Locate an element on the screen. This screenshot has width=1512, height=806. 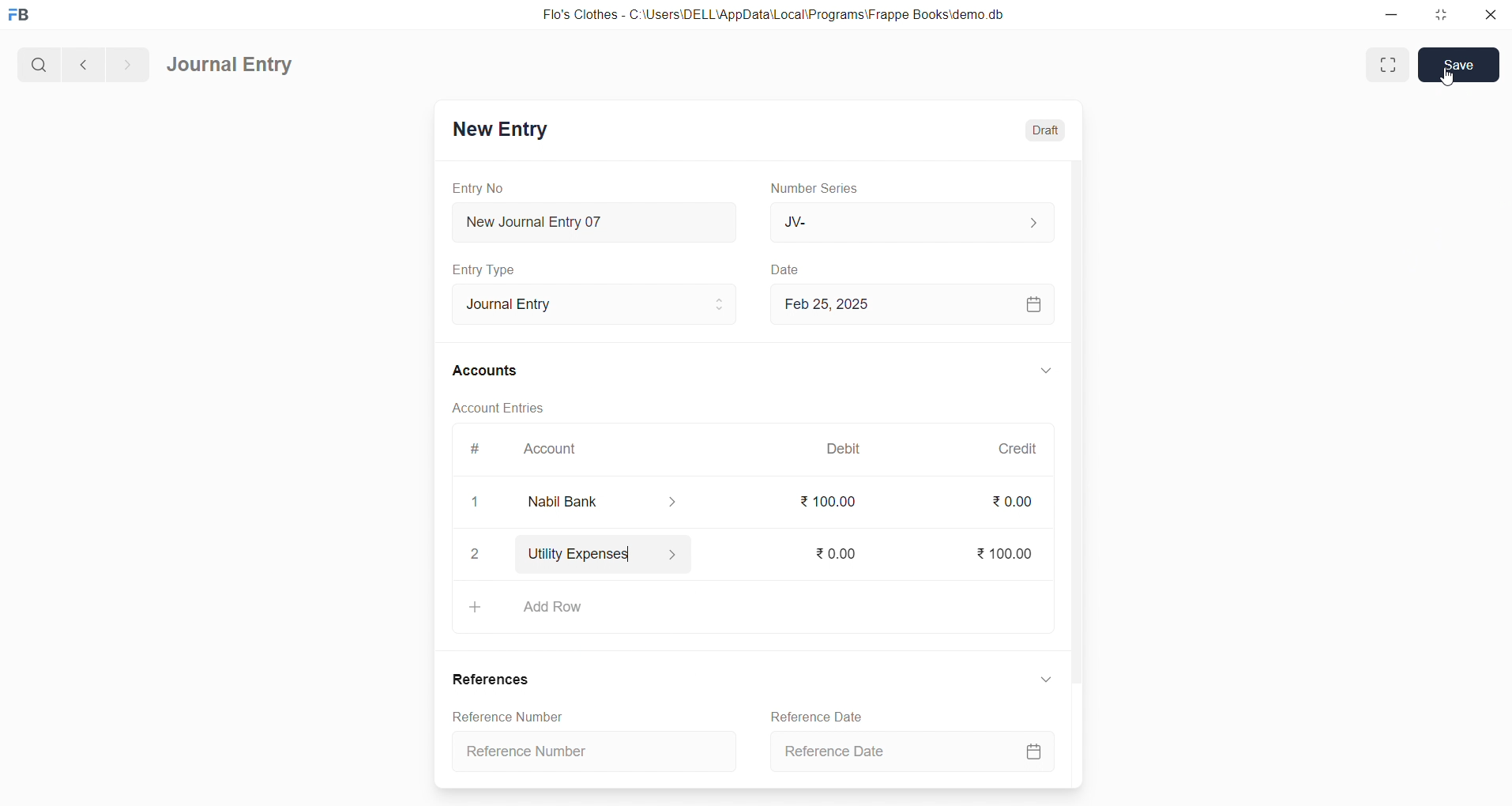
navigate backward  is located at coordinates (81, 62).